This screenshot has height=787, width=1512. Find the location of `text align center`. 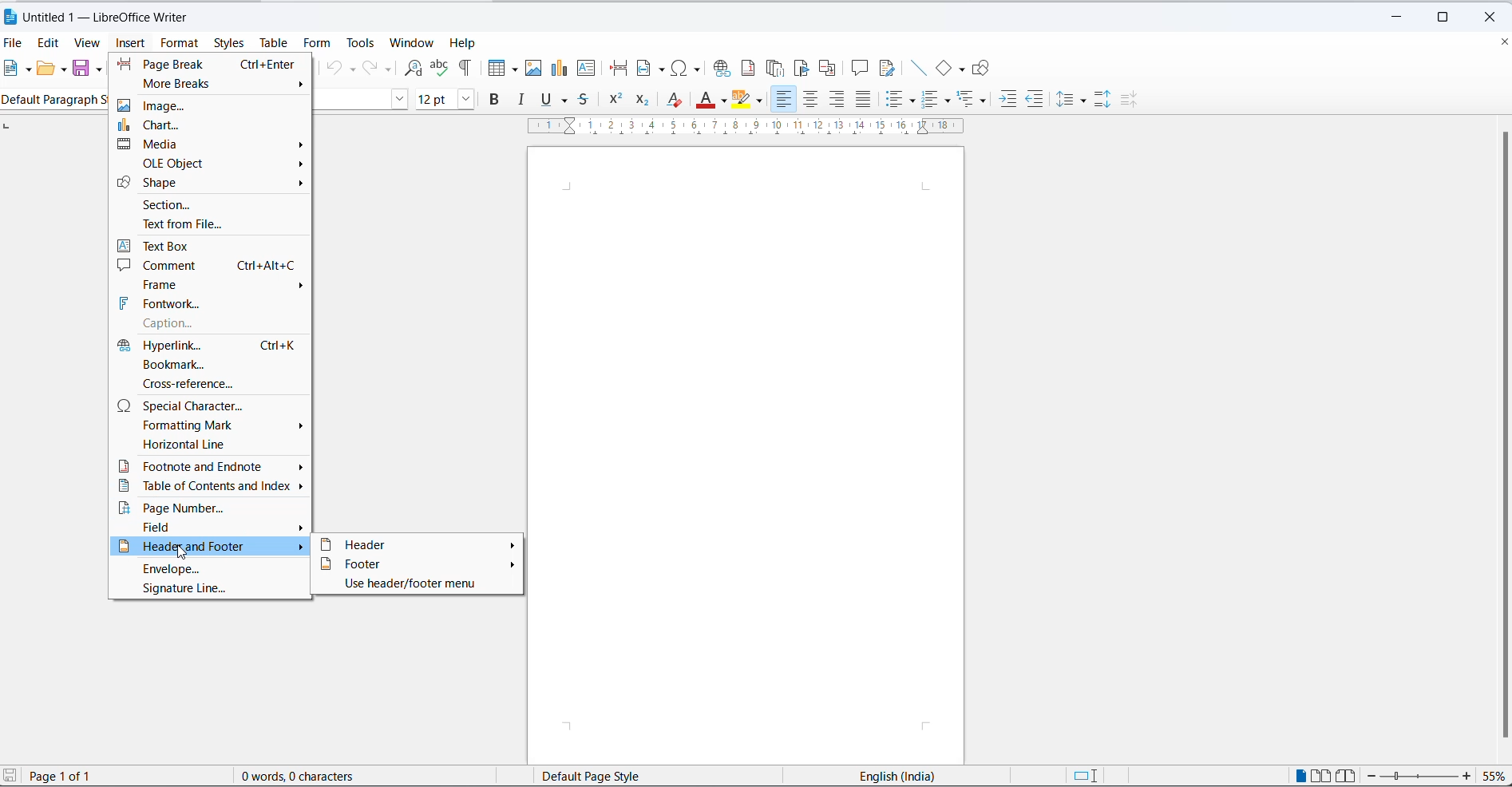

text align center is located at coordinates (809, 100).